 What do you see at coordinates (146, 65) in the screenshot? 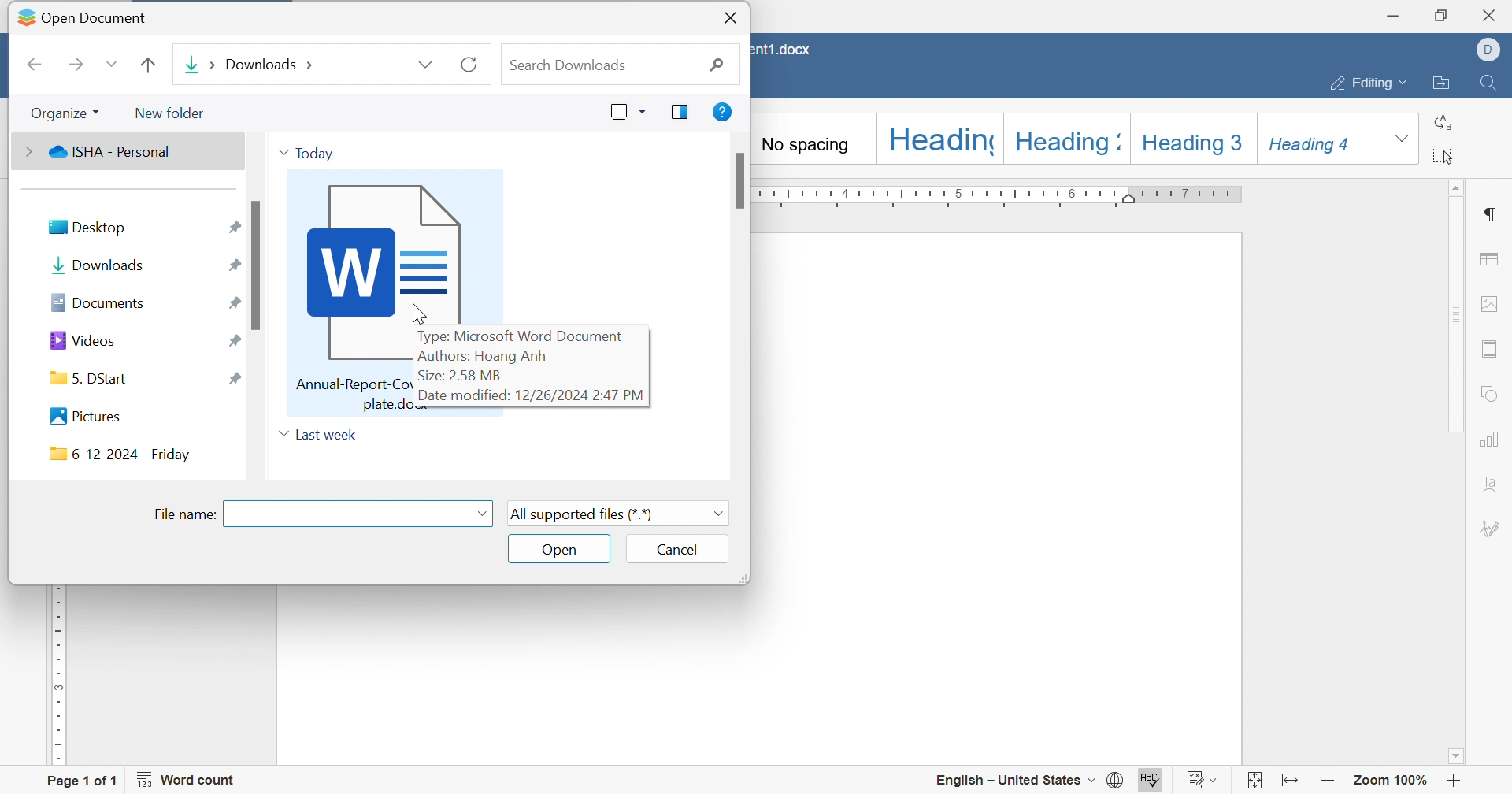
I see `previous` at bounding box center [146, 65].